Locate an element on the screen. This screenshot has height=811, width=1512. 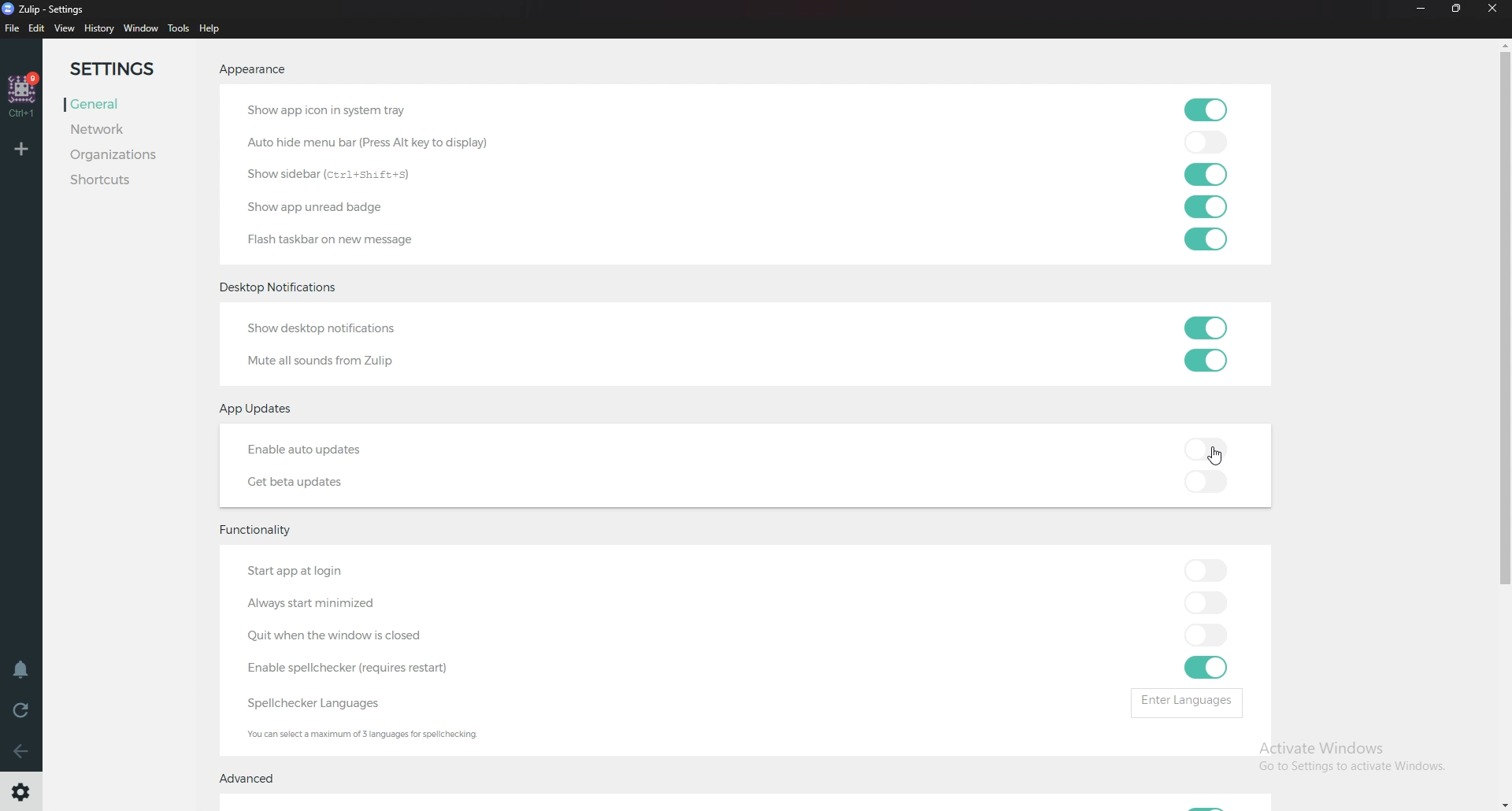
toggle is located at coordinates (1208, 206).